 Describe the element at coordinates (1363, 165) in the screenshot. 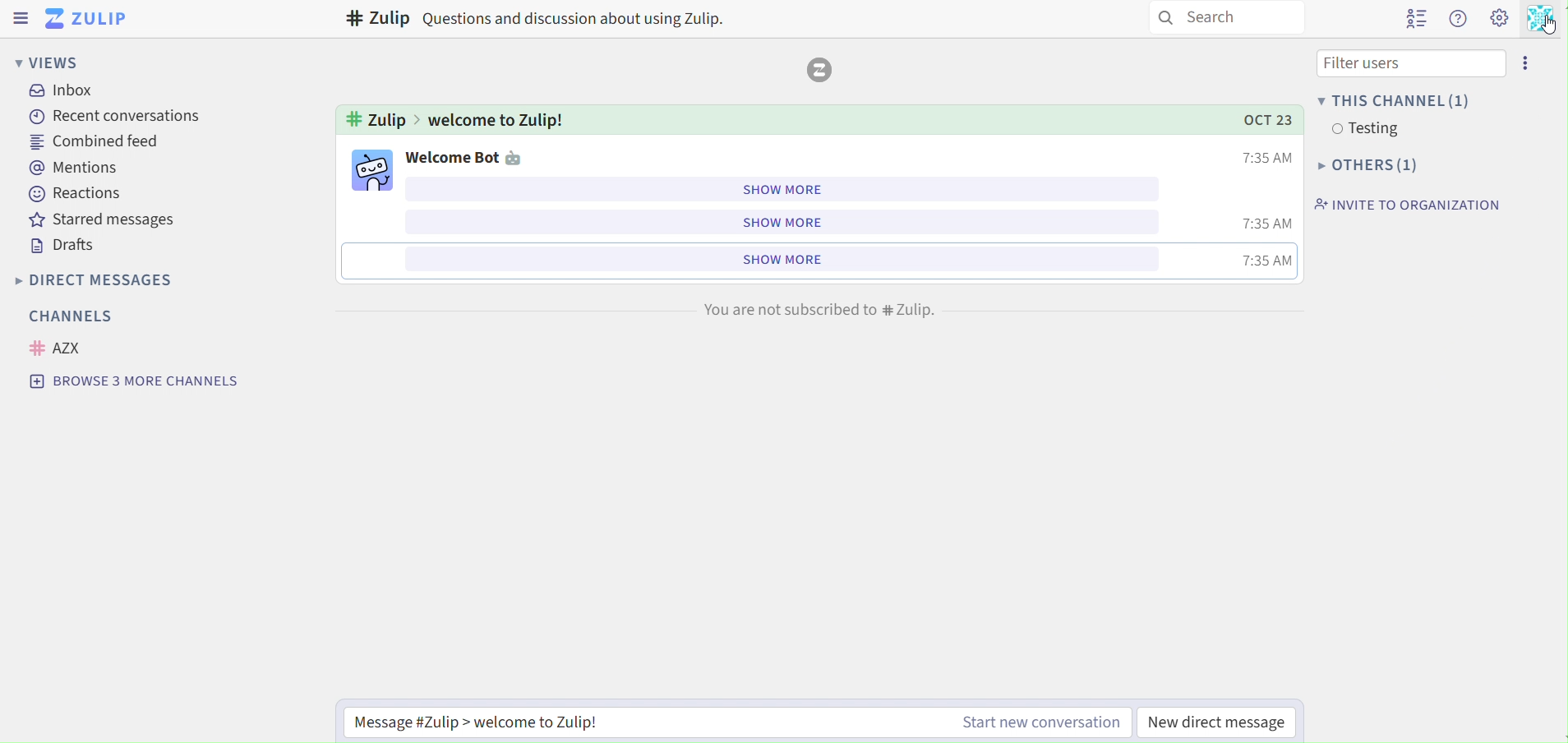

I see `others` at that location.